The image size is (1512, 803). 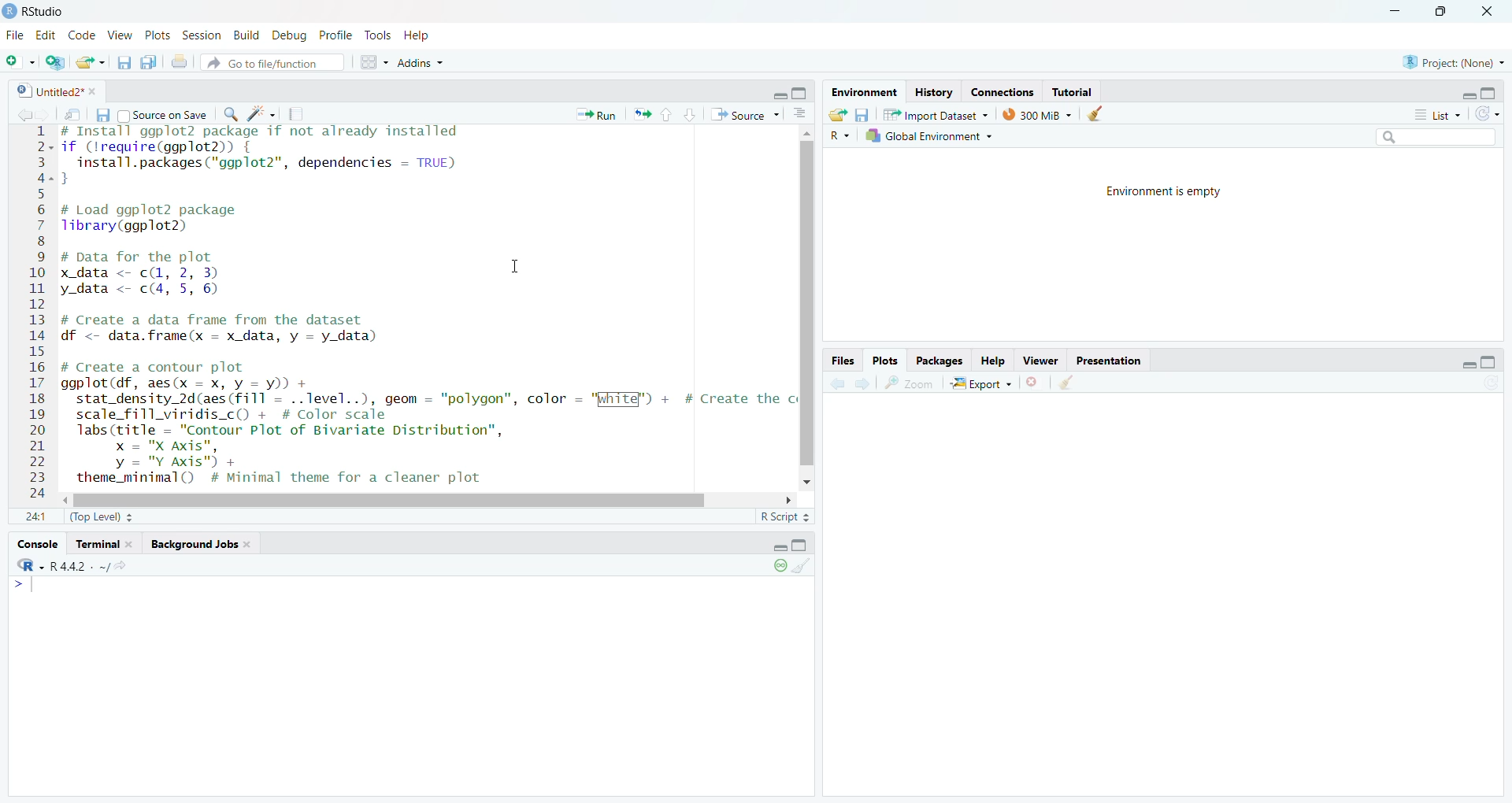 I want to click on find/replace, so click(x=228, y=115).